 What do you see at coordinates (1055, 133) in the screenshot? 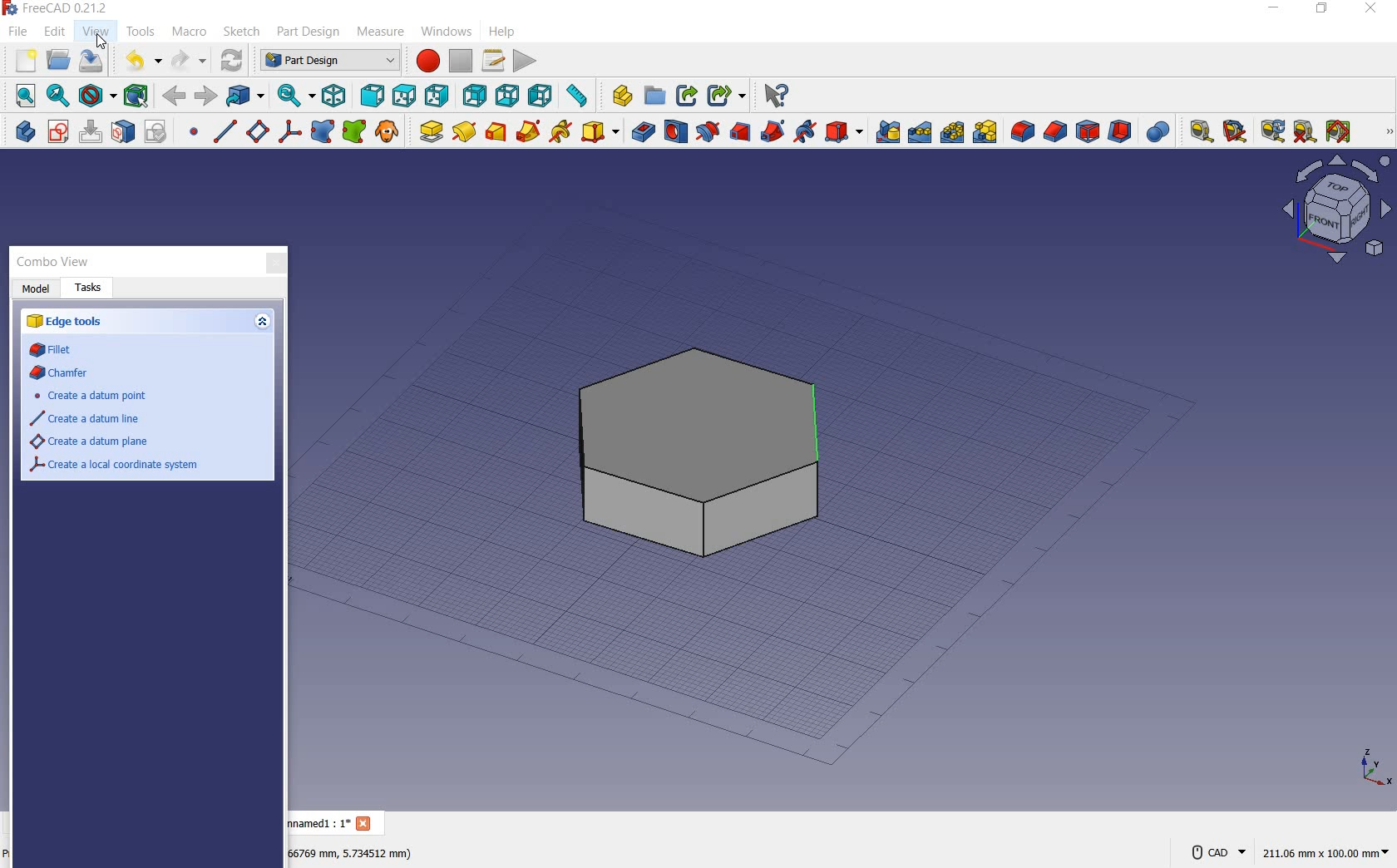
I see `chamfer` at bounding box center [1055, 133].